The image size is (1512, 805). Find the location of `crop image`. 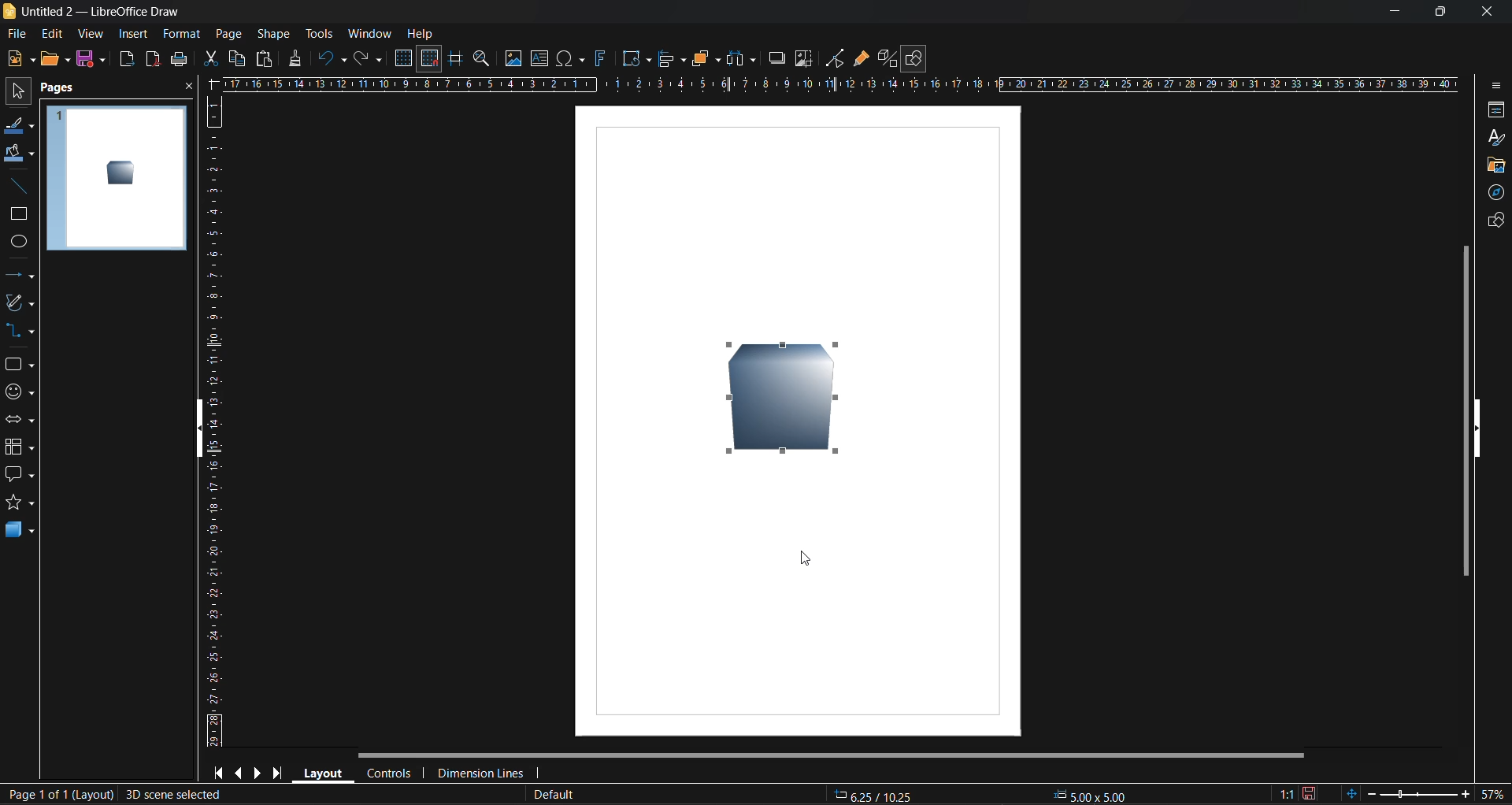

crop image is located at coordinates (804, 61).